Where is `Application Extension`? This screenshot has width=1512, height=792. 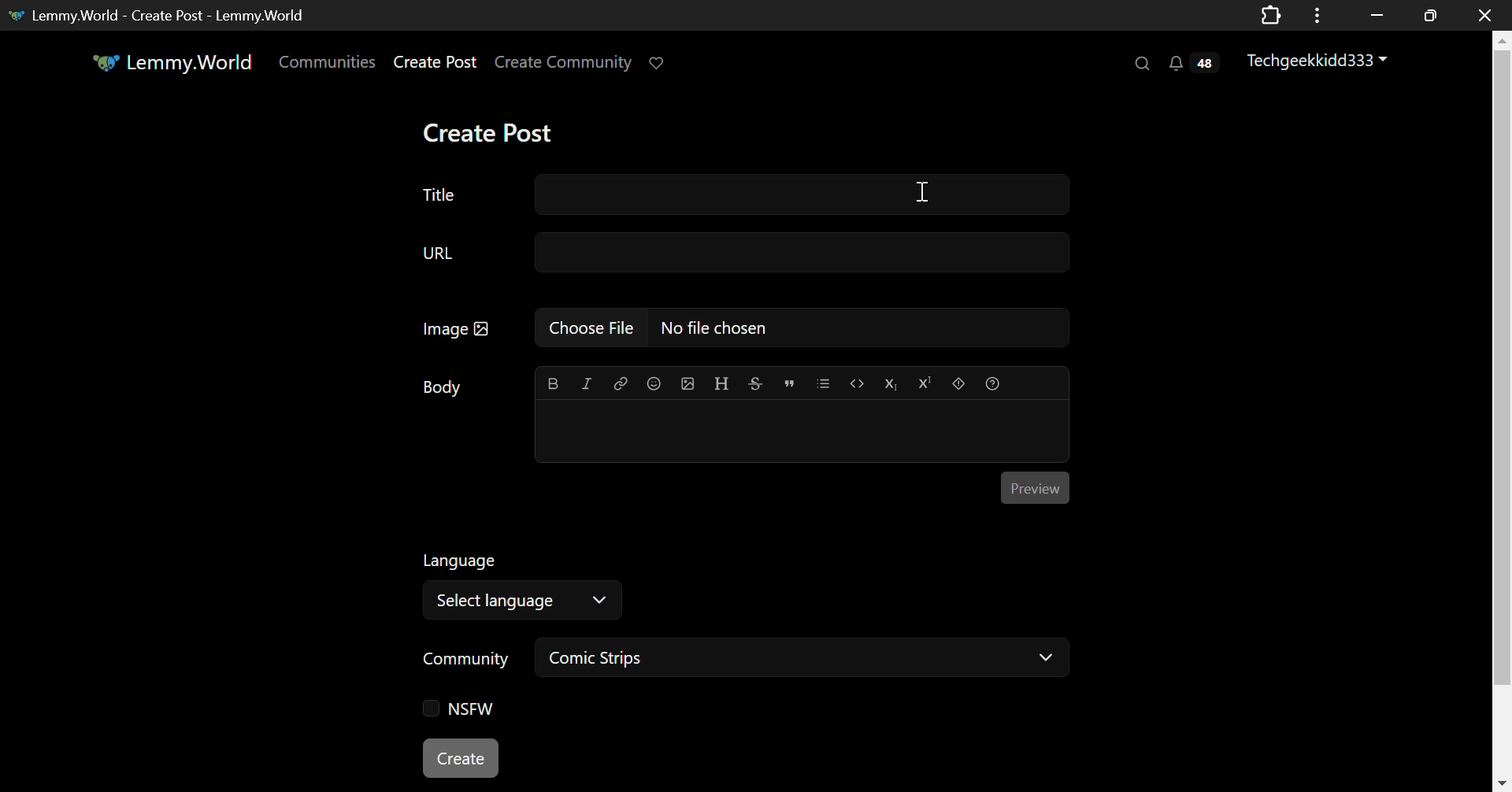
Application Extension is located at coordinates (1274, 13).